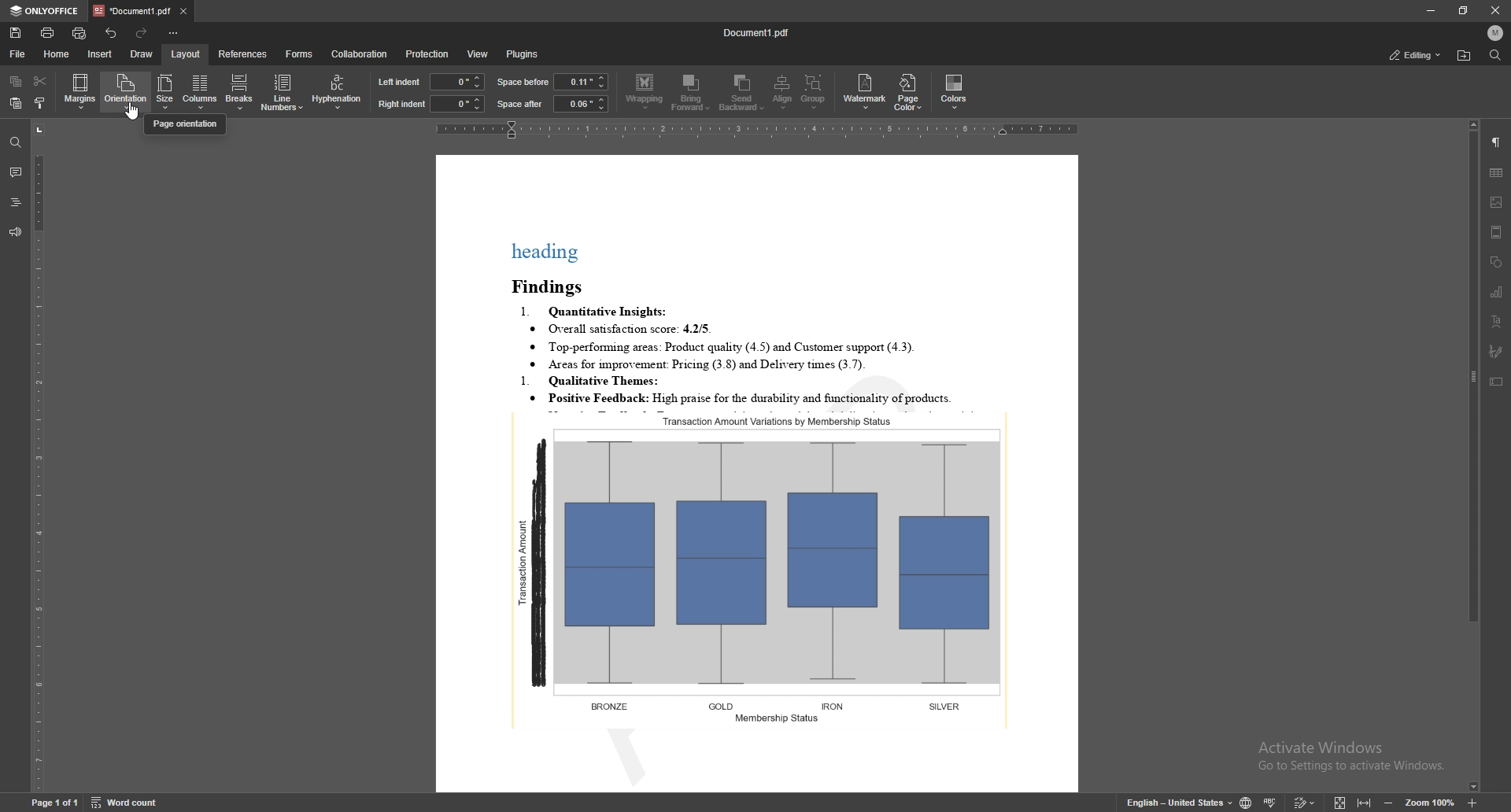 This screenshot has height=812, width=1511. Describe the element at coordinates (865, 93) in the screenshot. I see `watermark` at that location.